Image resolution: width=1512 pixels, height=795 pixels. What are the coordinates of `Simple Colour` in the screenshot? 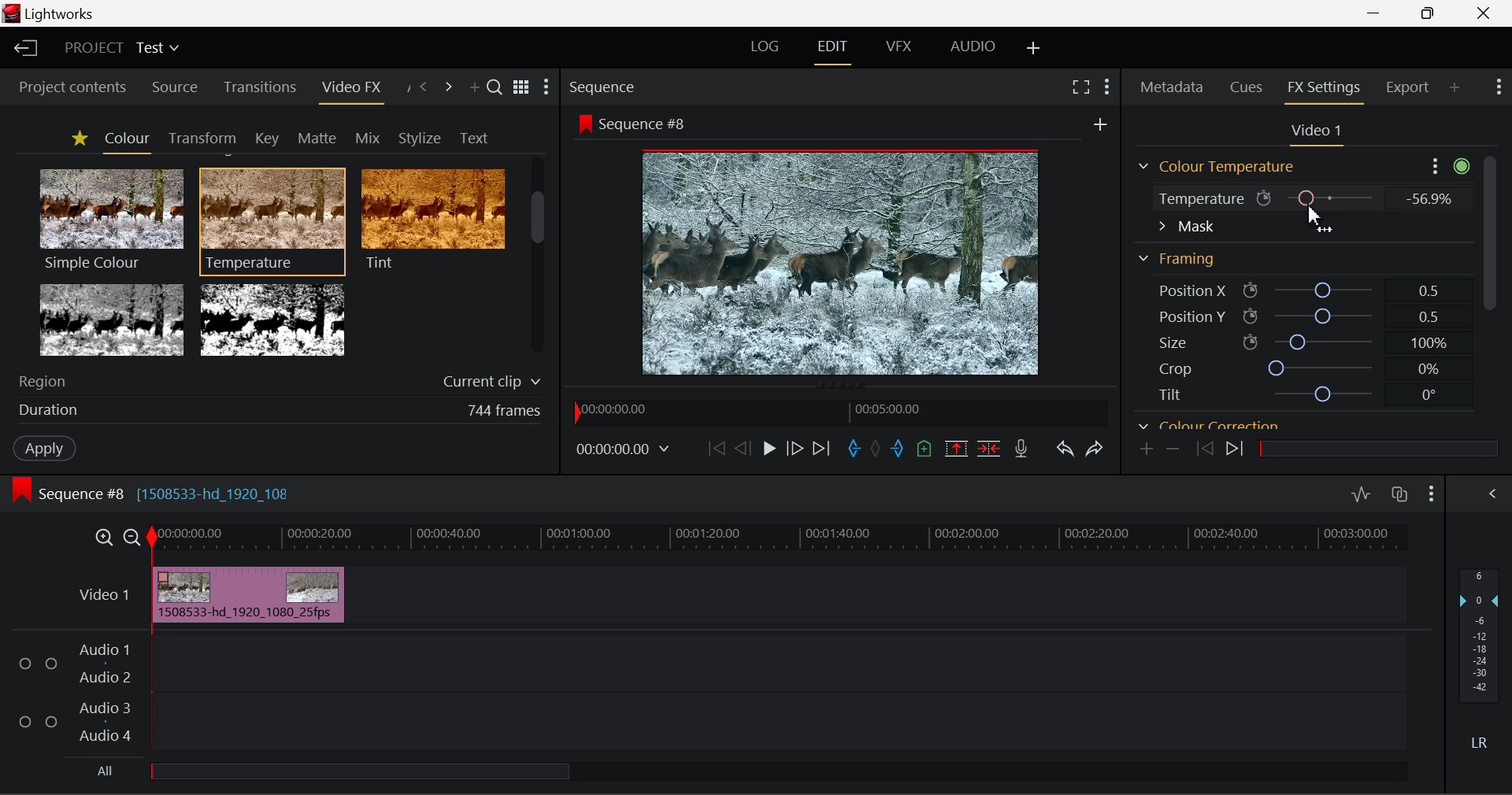 It's located at (110, 219).